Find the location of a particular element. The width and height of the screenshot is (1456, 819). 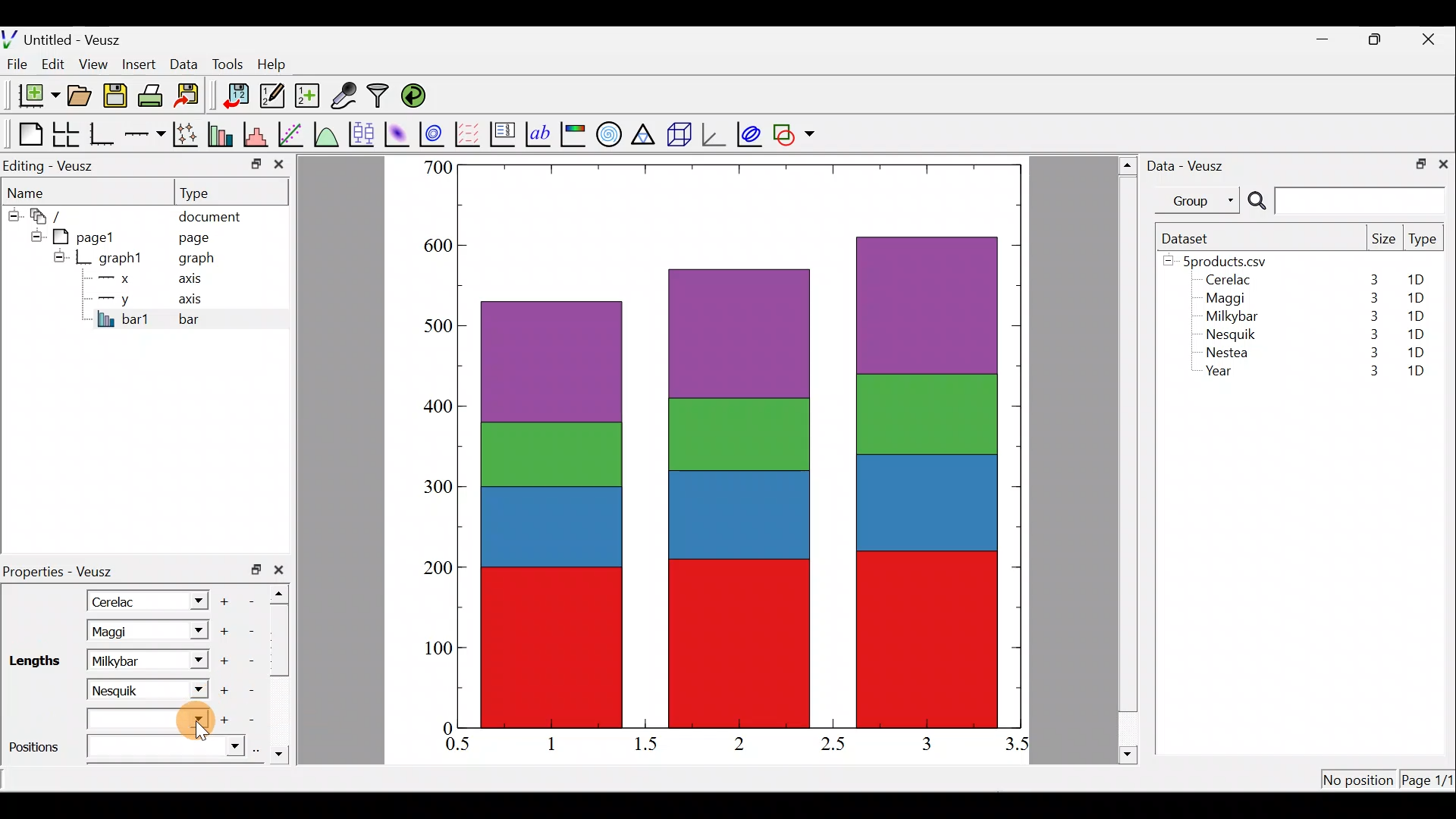

Insert is located at coordinates (141, 64).